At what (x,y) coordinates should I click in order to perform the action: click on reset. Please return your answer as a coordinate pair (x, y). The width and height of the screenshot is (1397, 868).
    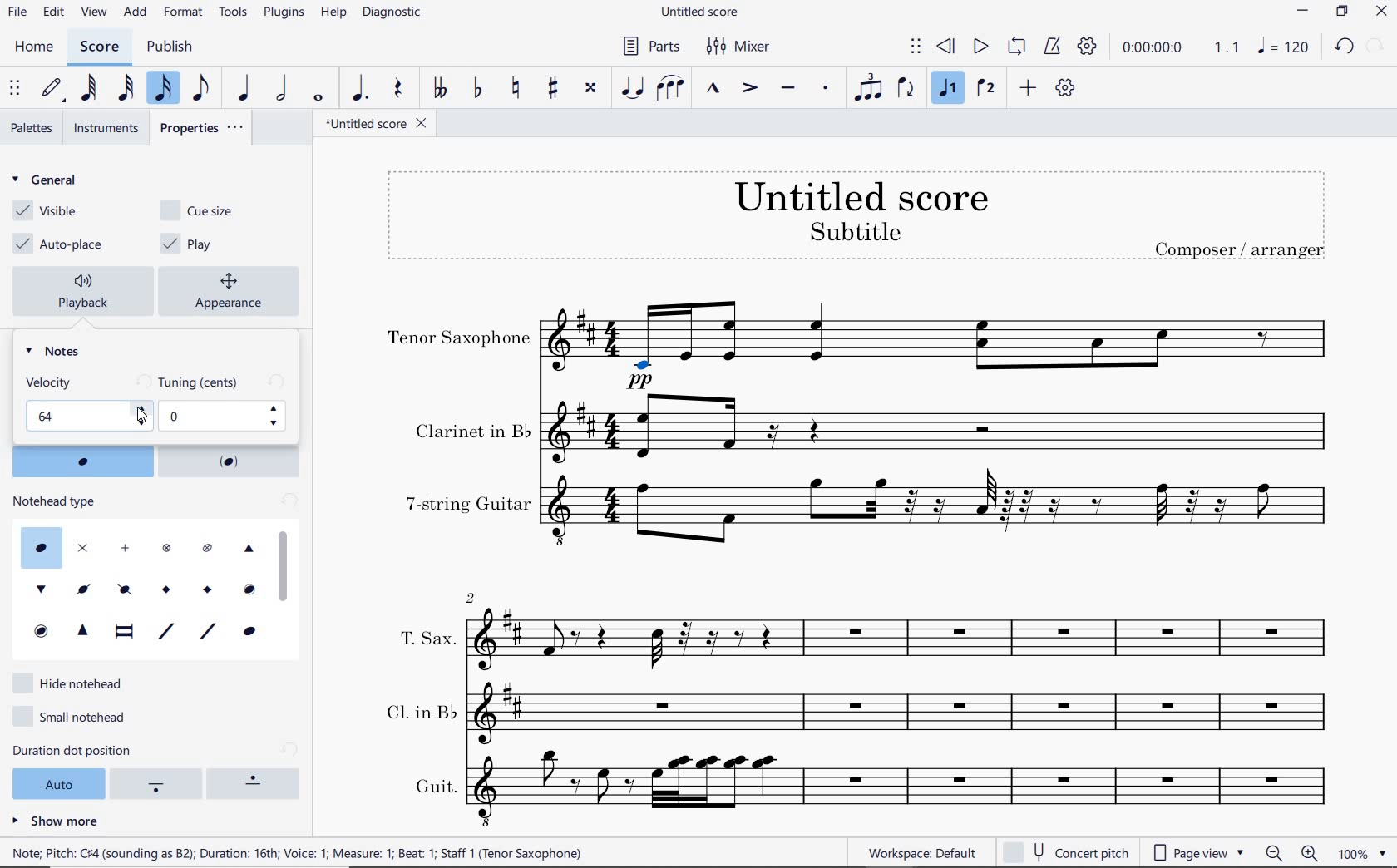
    Looking at the image, I should click on (276, 382).